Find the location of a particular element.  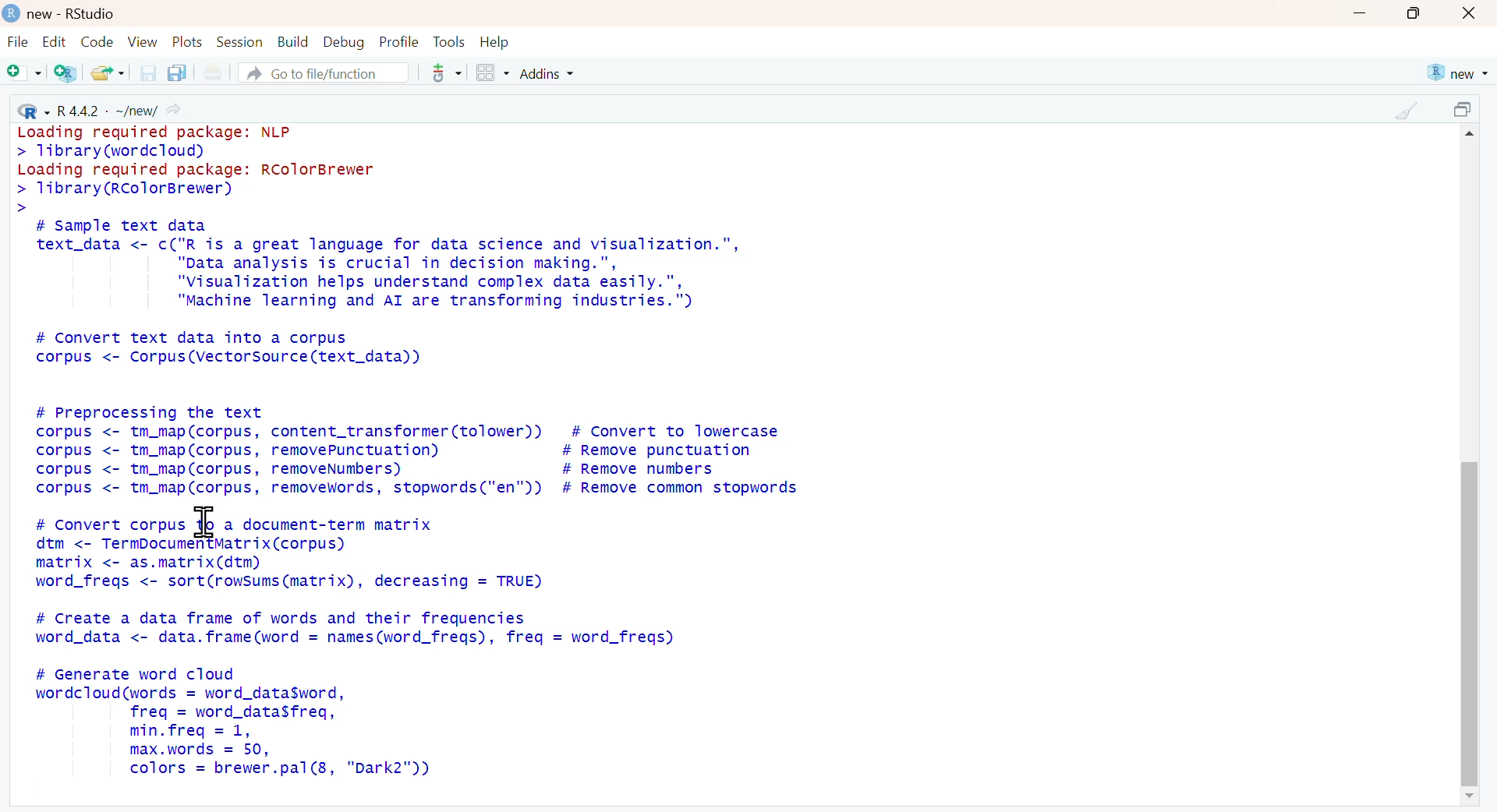

Edit is located at coordinates (53, 42).